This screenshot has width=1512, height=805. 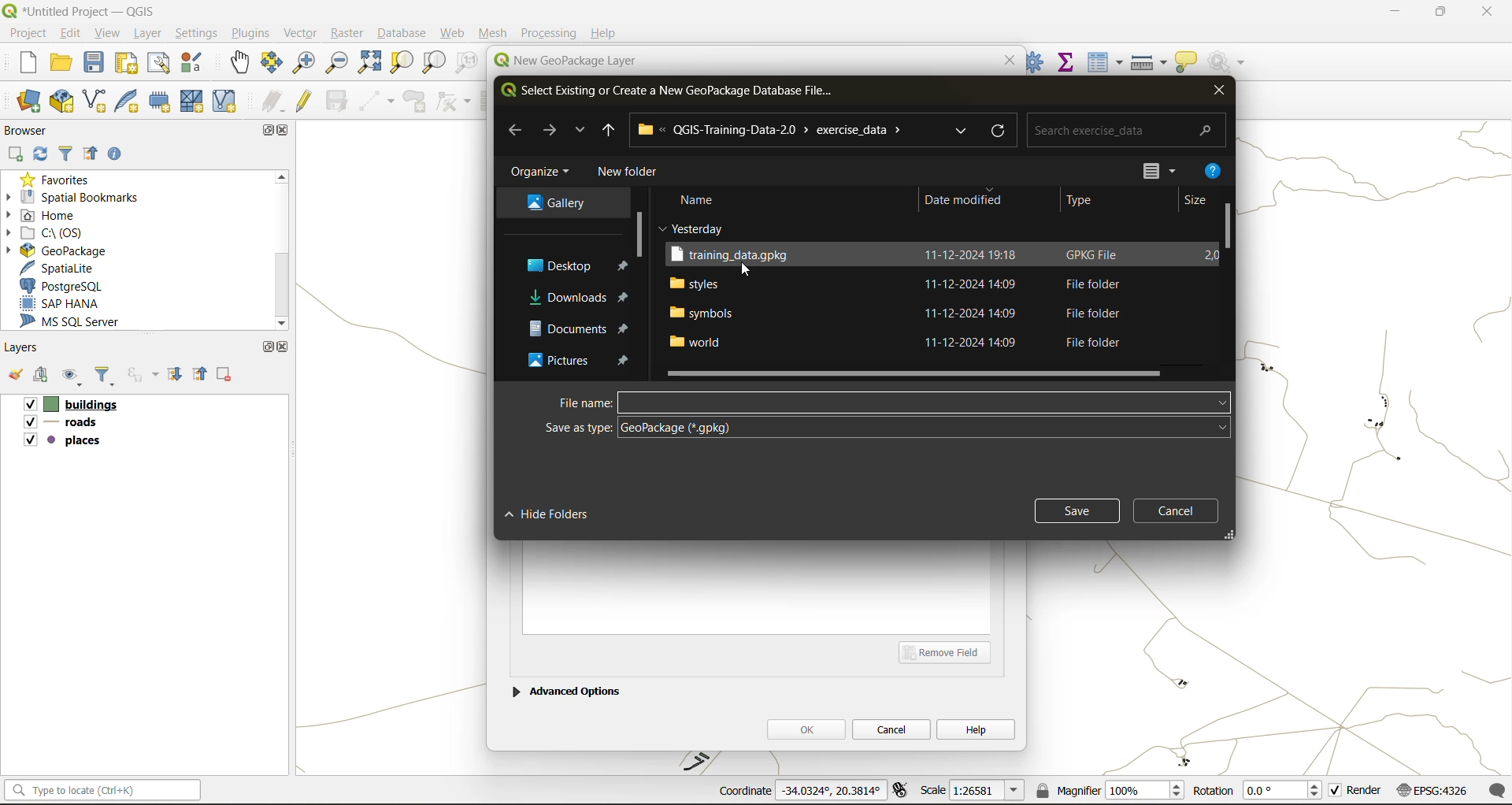 I want to click on symbols, so click(x=702, y=312).